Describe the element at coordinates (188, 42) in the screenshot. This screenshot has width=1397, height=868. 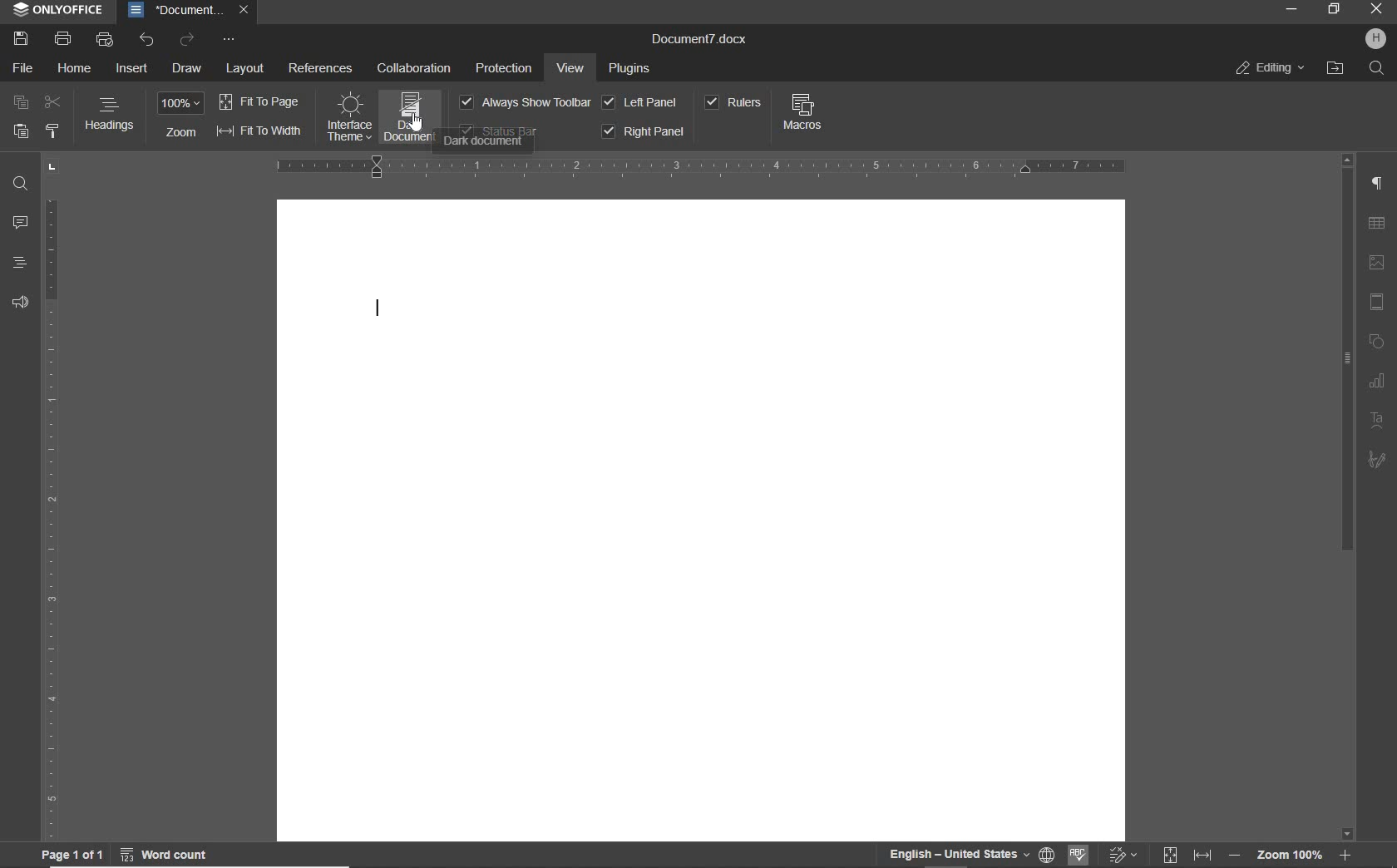
I see `REDO` at that location.